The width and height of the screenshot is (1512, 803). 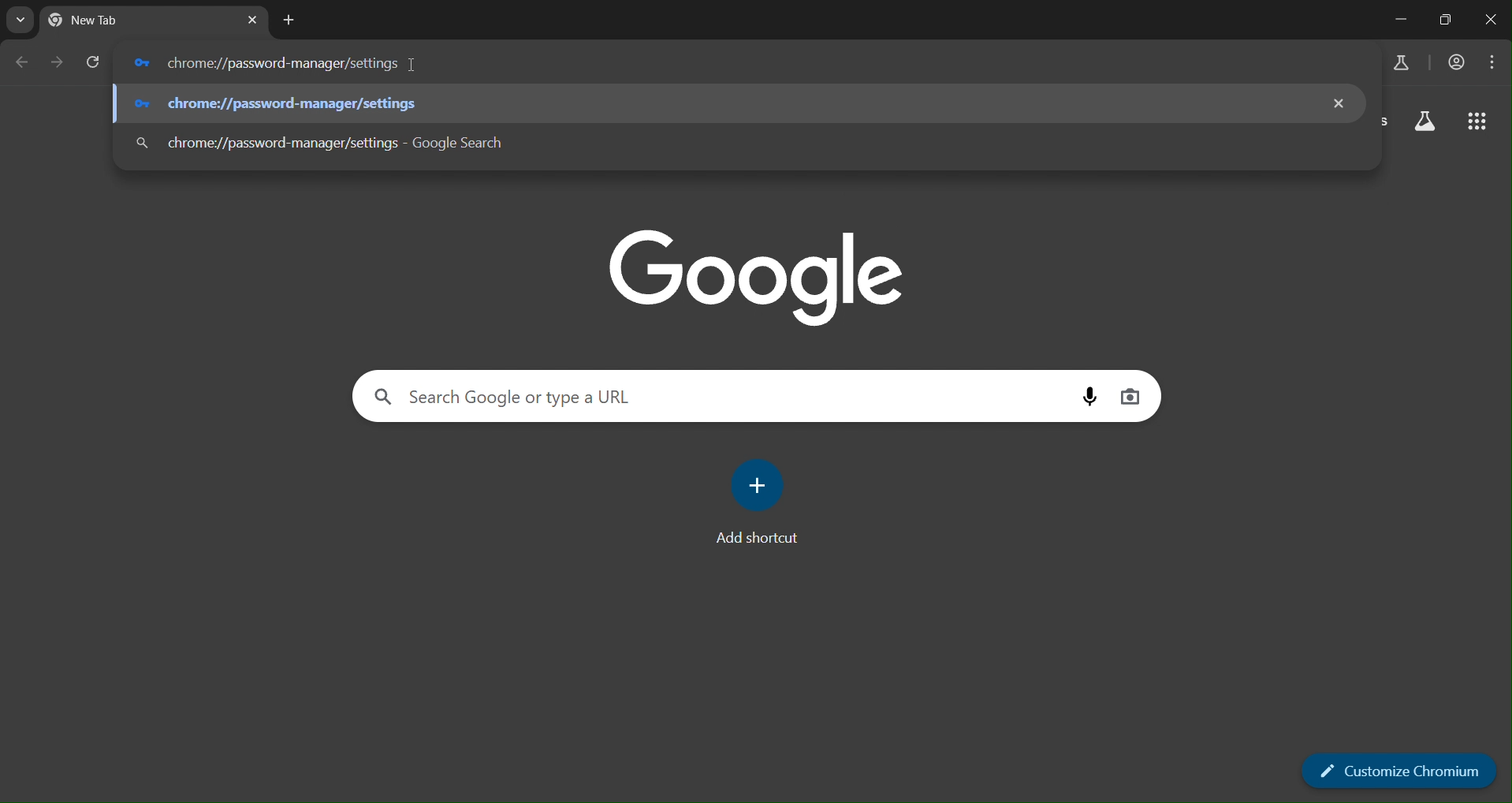 I want to click on cursor, so click(x=412, y=70).